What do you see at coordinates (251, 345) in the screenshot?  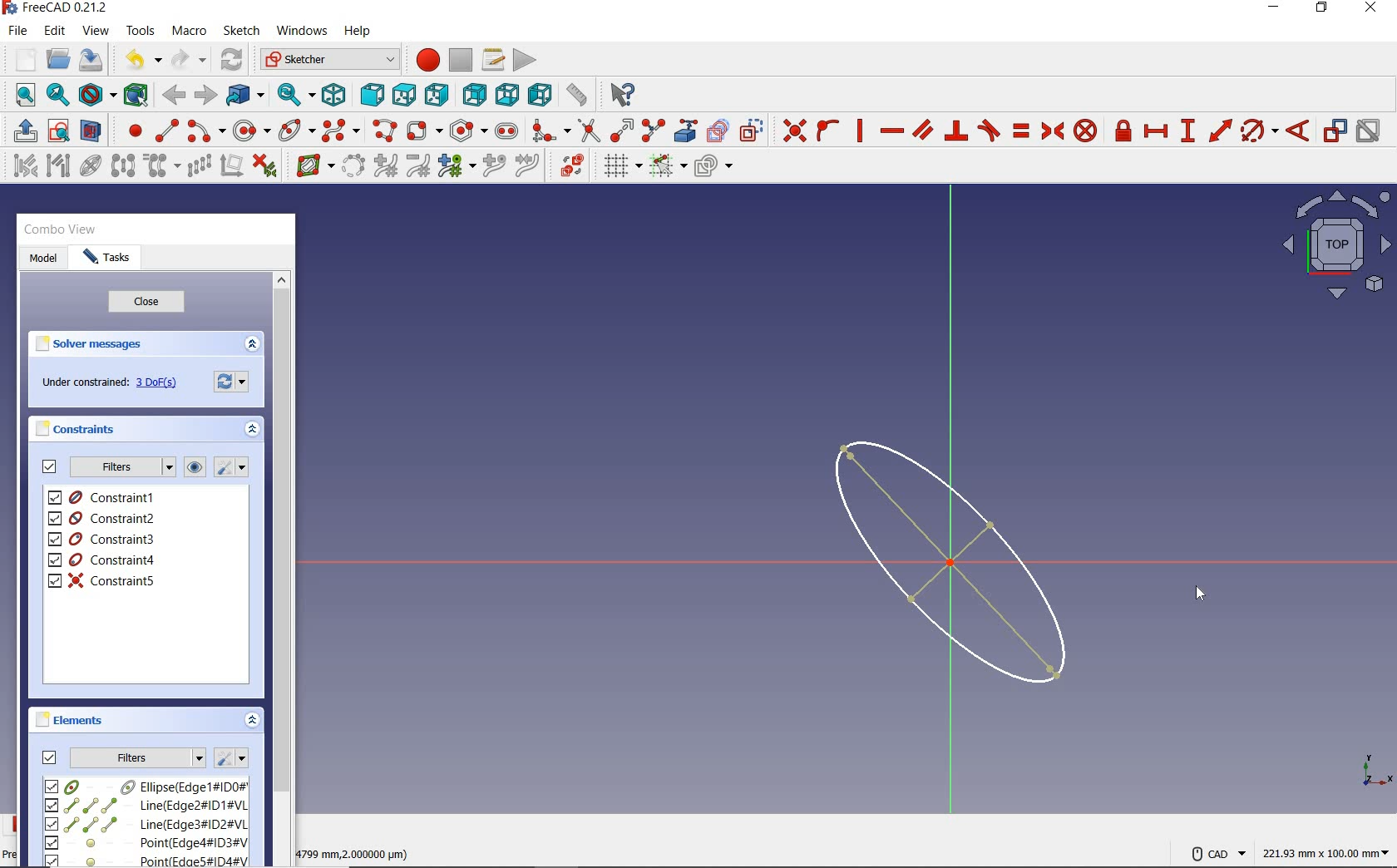 I see `collapse` at bounding box center [251, 345].